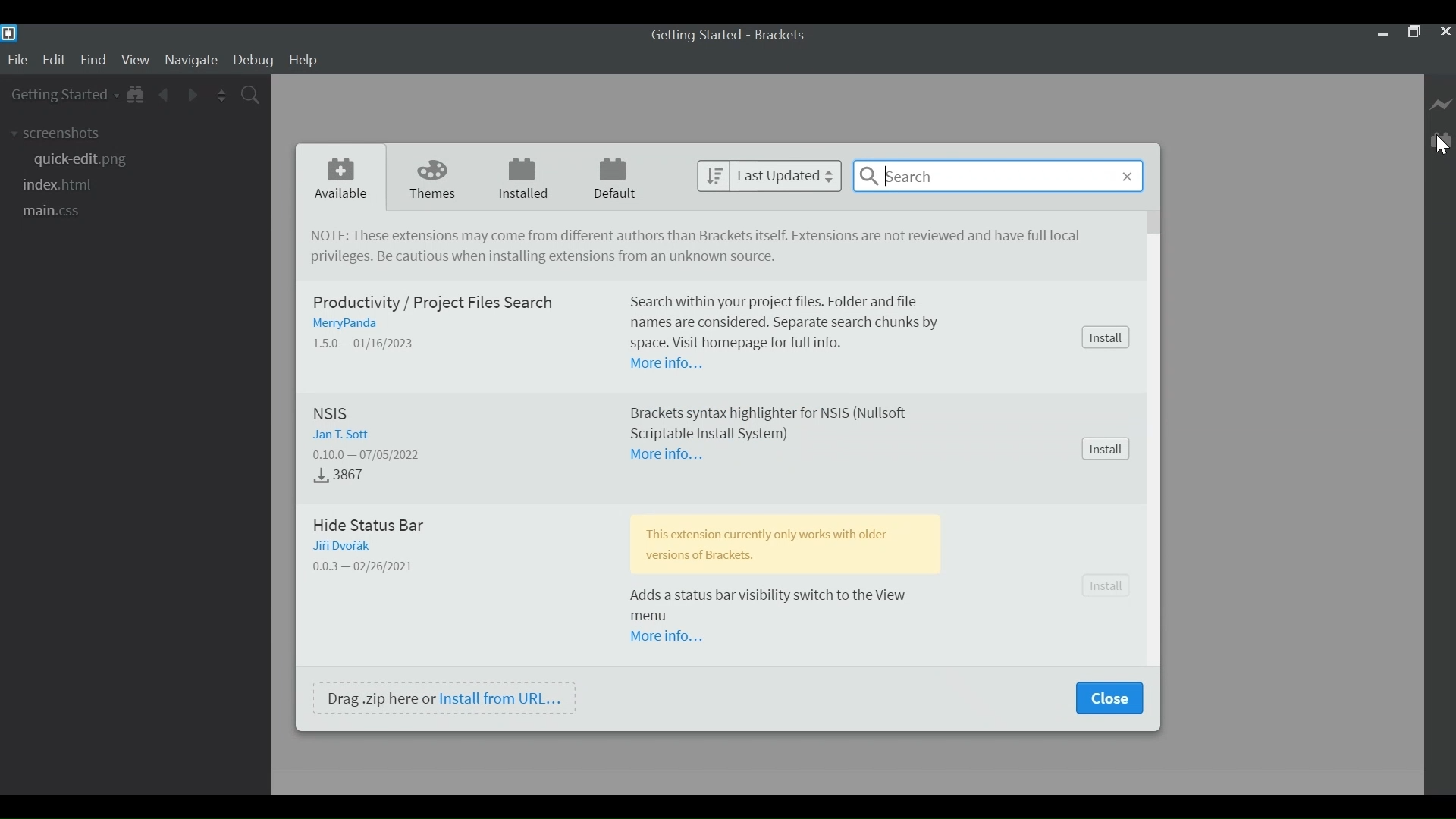 Image resolution: width=1456 pixels, height=819 pixels. I want to click on Split the Editor Vertically or Horizontally, so click(221, 96).